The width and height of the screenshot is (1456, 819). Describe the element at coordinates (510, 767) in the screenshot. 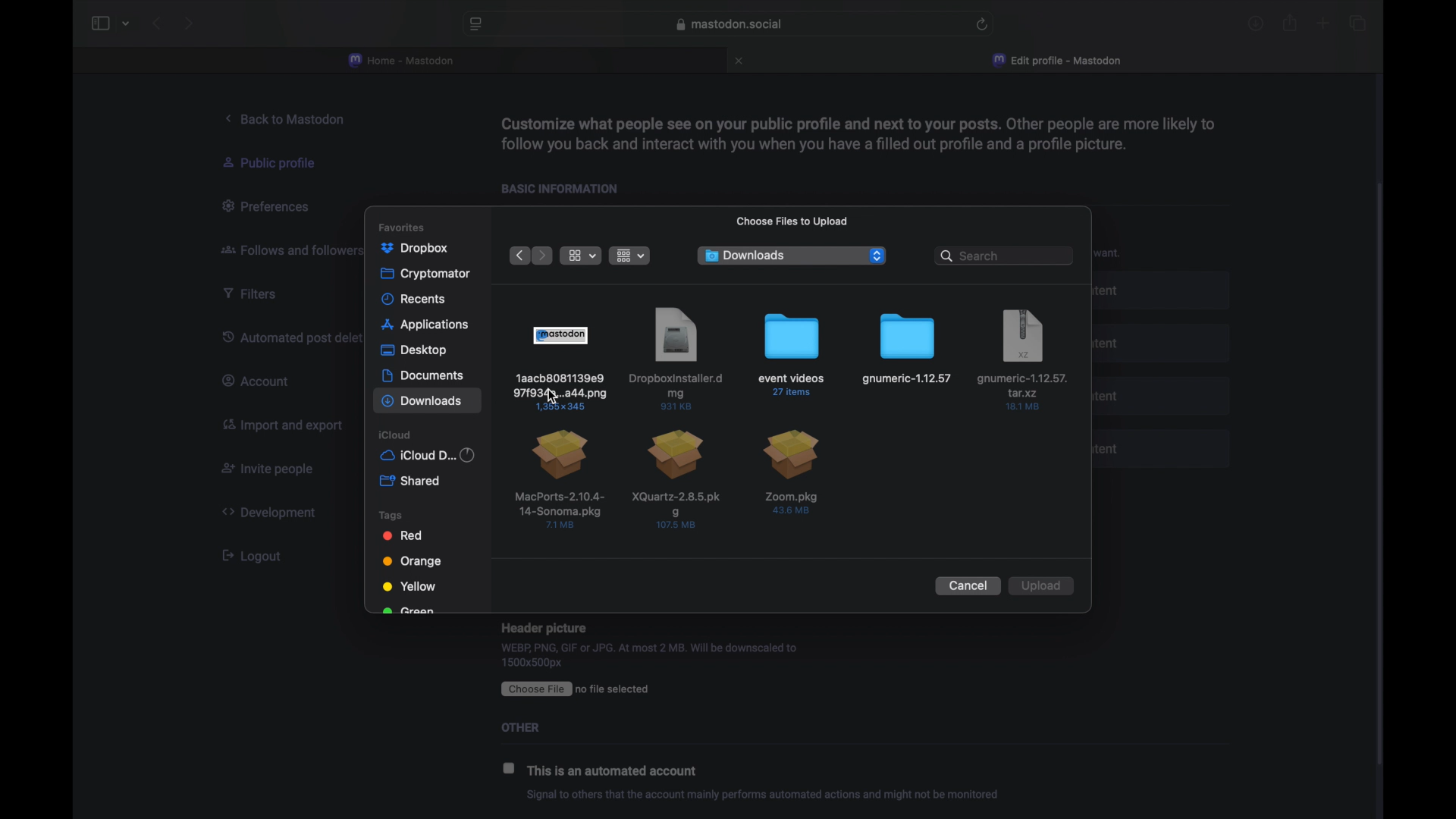

I see `checkbox` at that location.